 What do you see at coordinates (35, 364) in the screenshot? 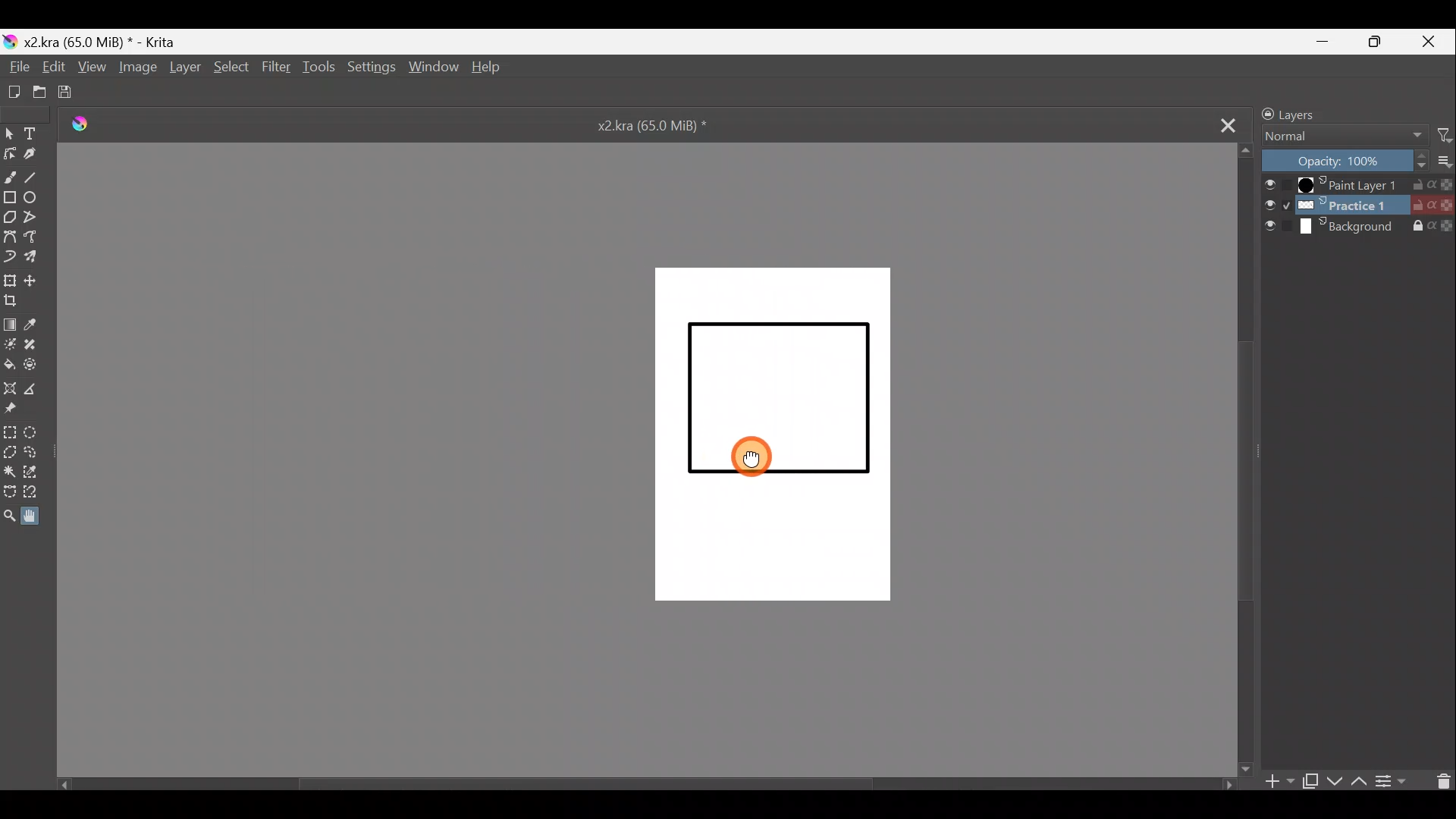
I see `Enclose & fill tool` at bounding box center [35, 364].